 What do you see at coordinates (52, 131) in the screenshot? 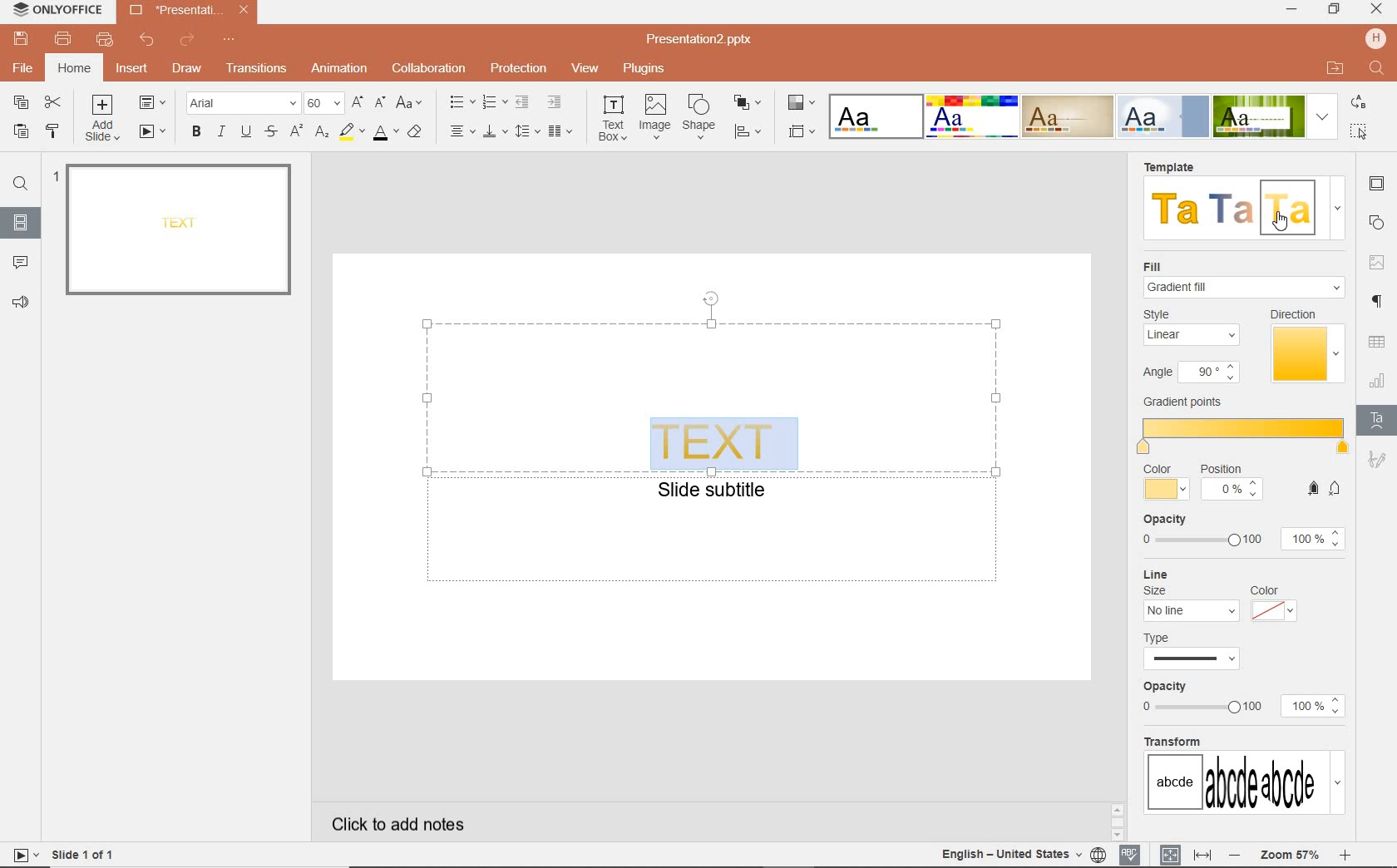
I see `COPY STYLE` at bounding box center [52, 131].